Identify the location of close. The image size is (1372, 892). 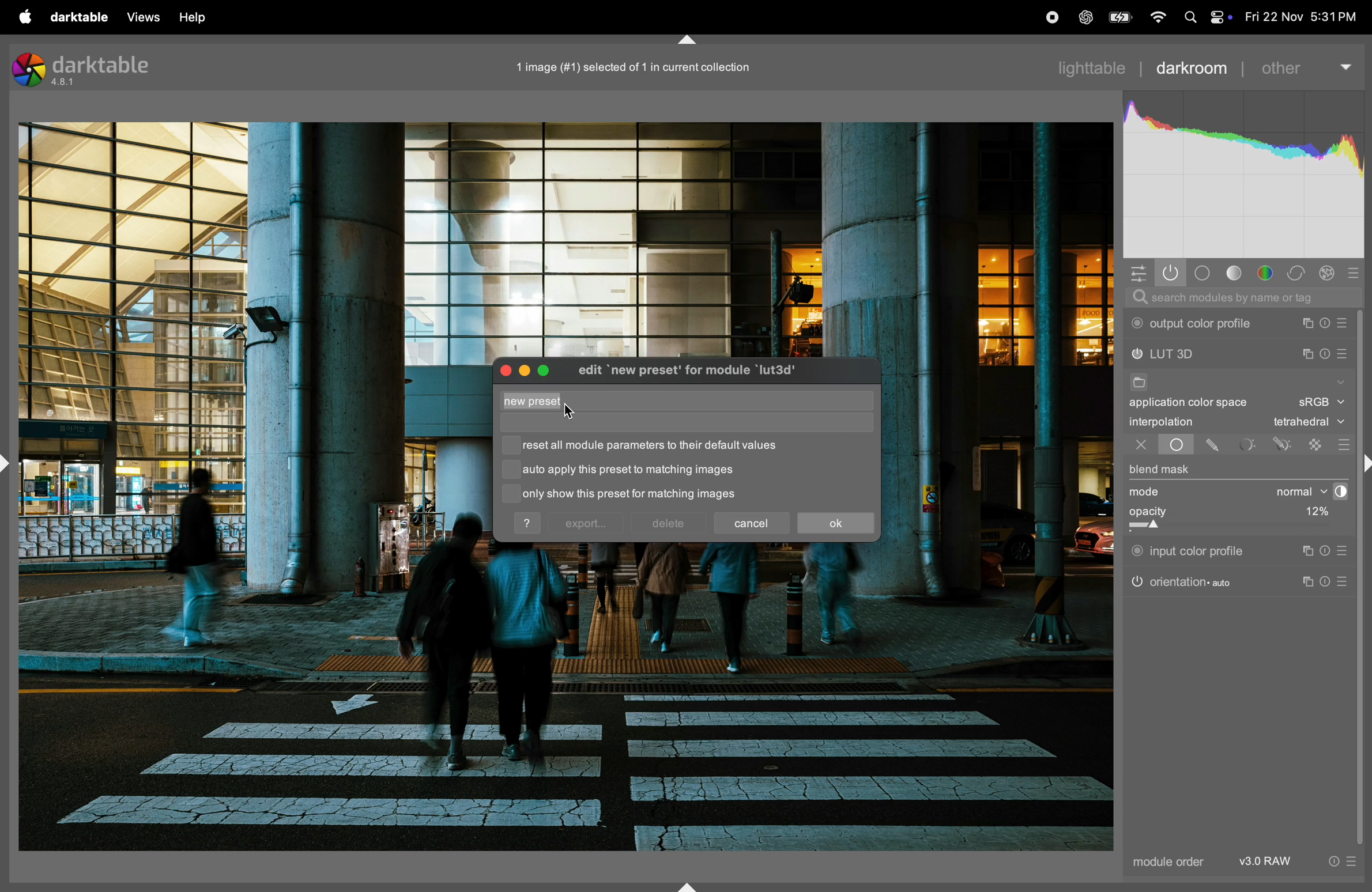
(504, 370).